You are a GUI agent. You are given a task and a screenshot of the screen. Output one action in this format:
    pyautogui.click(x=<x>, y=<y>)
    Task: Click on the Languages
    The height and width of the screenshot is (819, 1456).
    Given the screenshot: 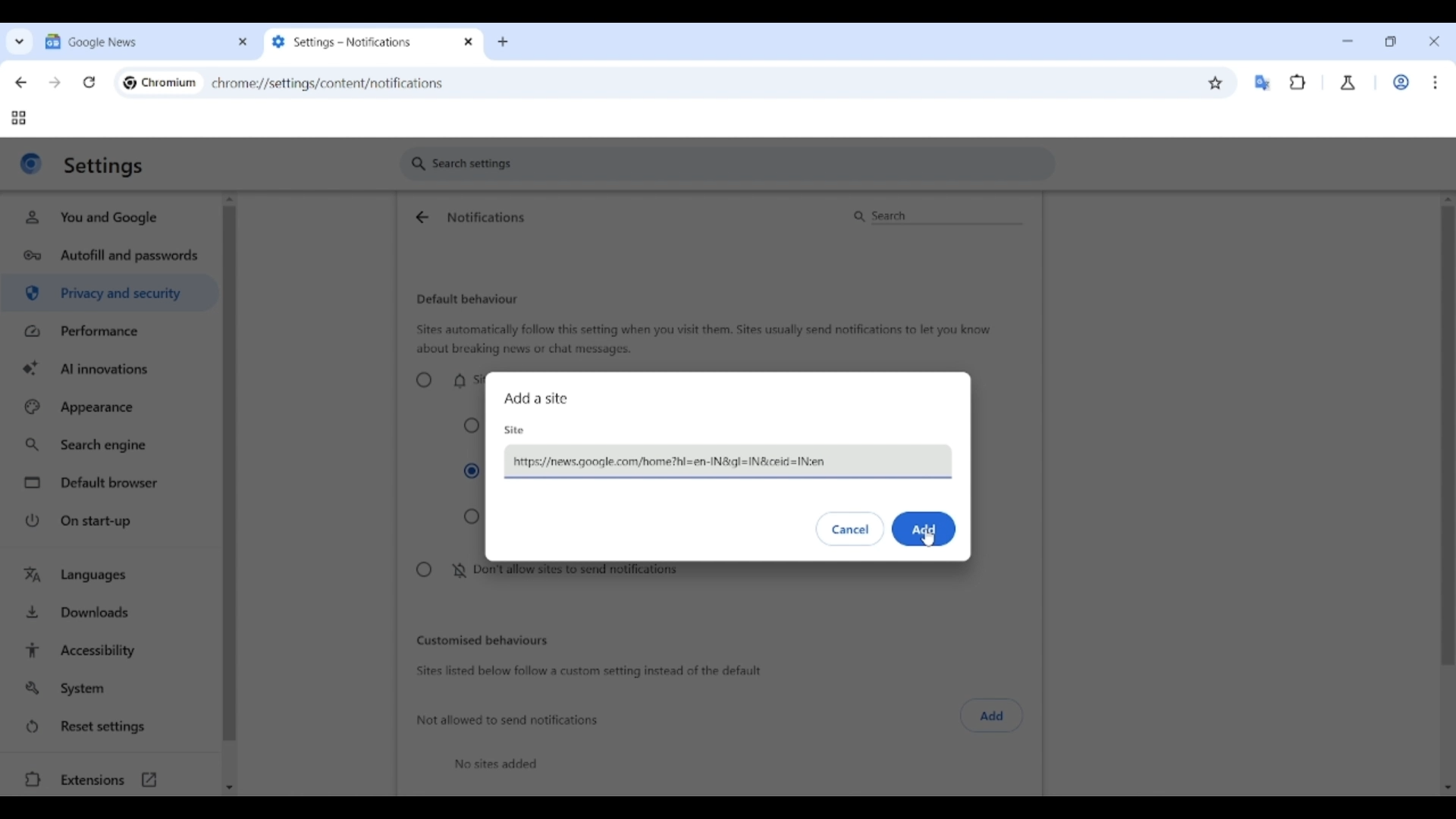 What is the action you would take?
    pyautogui.click(x=111, y=576)
    